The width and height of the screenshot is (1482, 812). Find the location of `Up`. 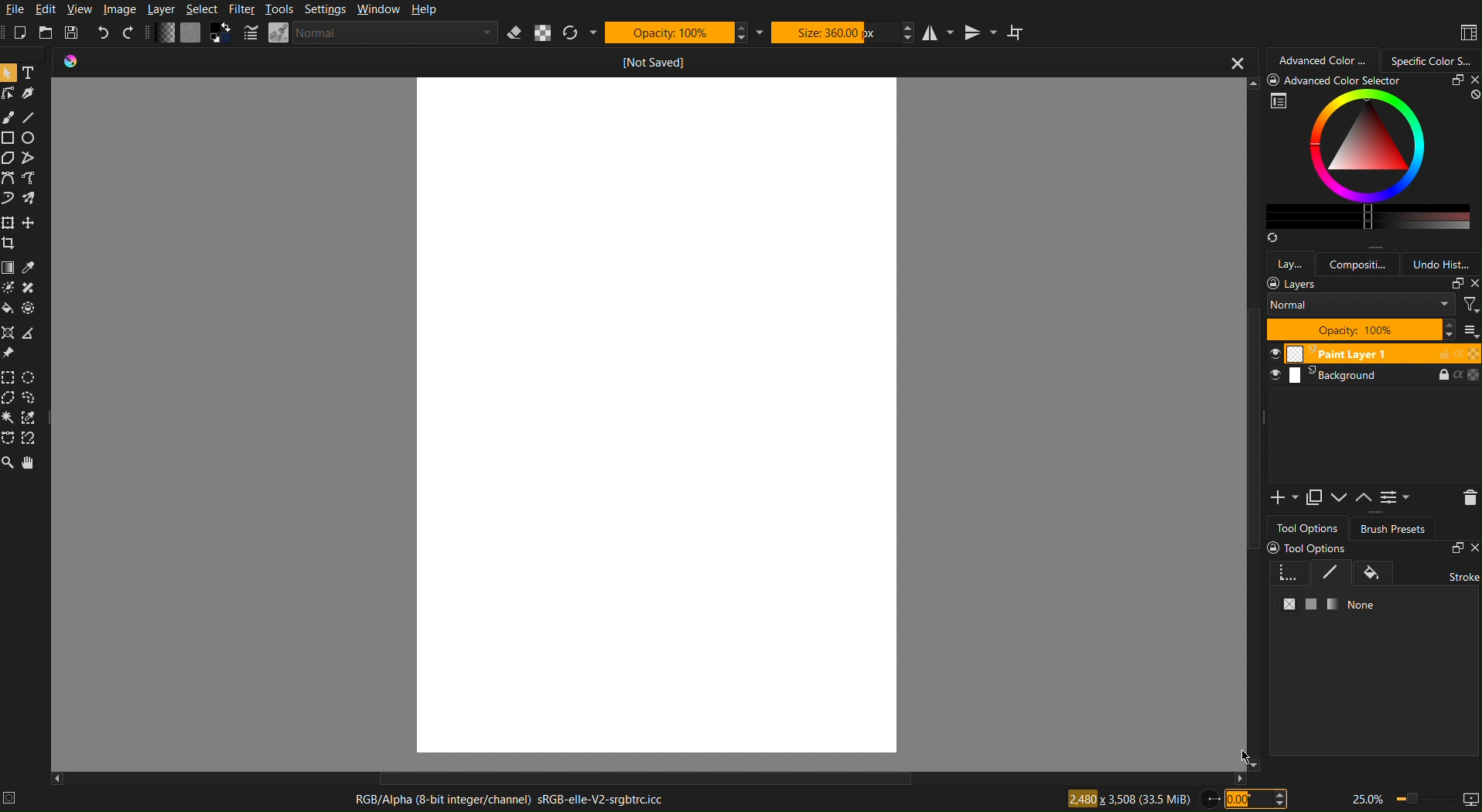

Up is located at coordinates (1364, 500).